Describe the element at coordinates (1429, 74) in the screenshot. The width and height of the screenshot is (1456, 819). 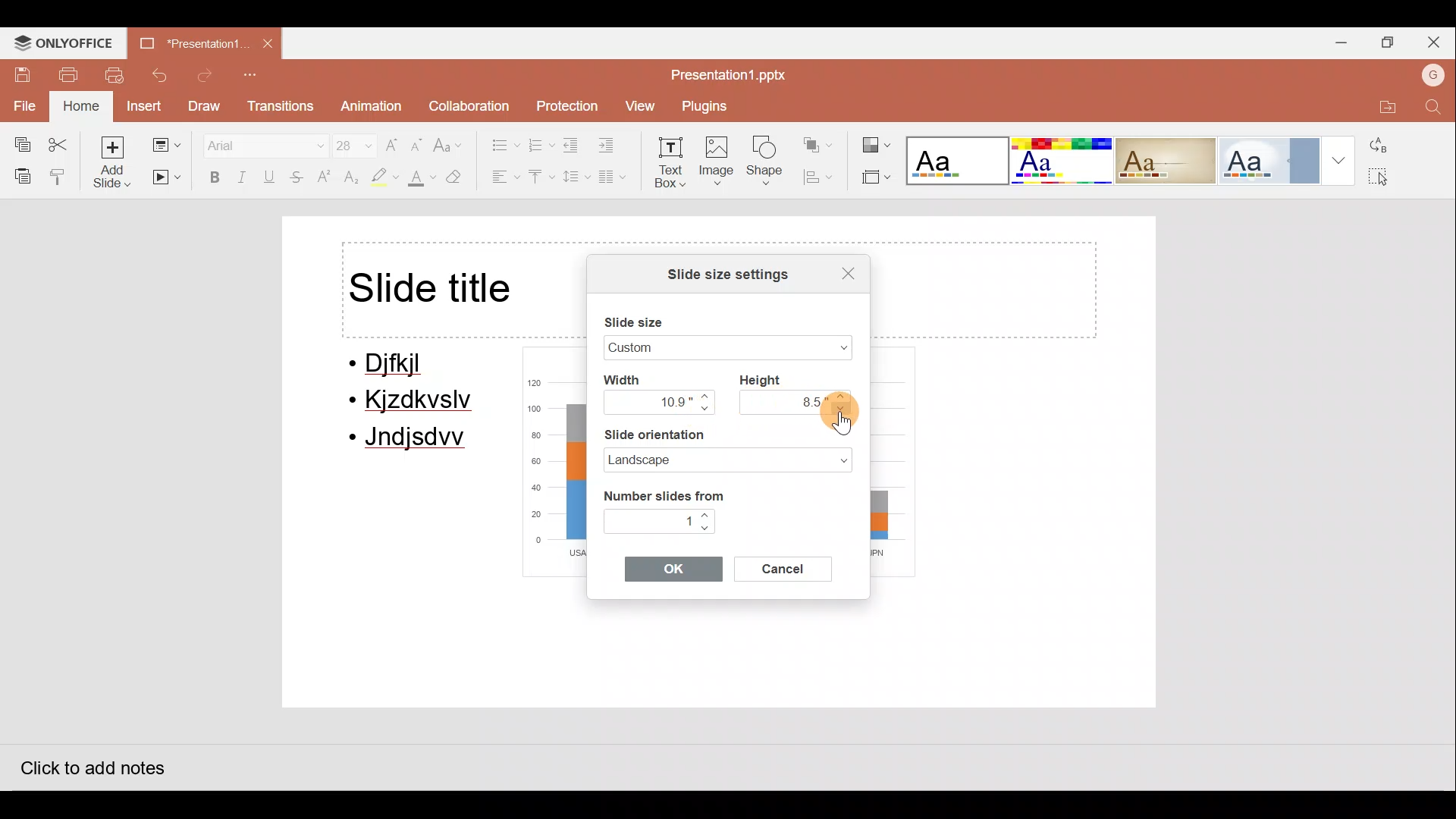
I see `Account name` at that location.